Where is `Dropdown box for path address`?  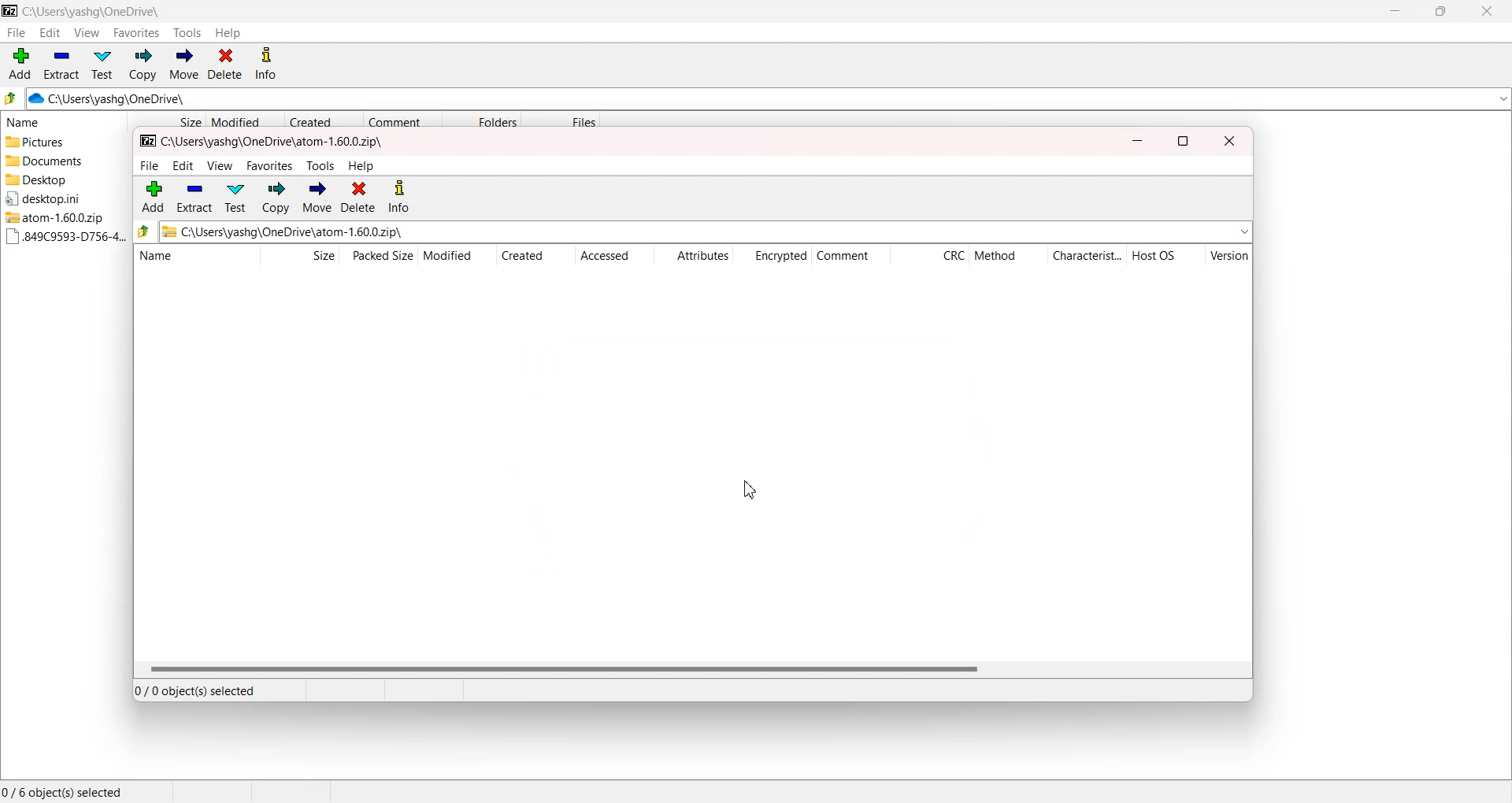
Dropdown box for path address is located at coordinates (1502, 99).